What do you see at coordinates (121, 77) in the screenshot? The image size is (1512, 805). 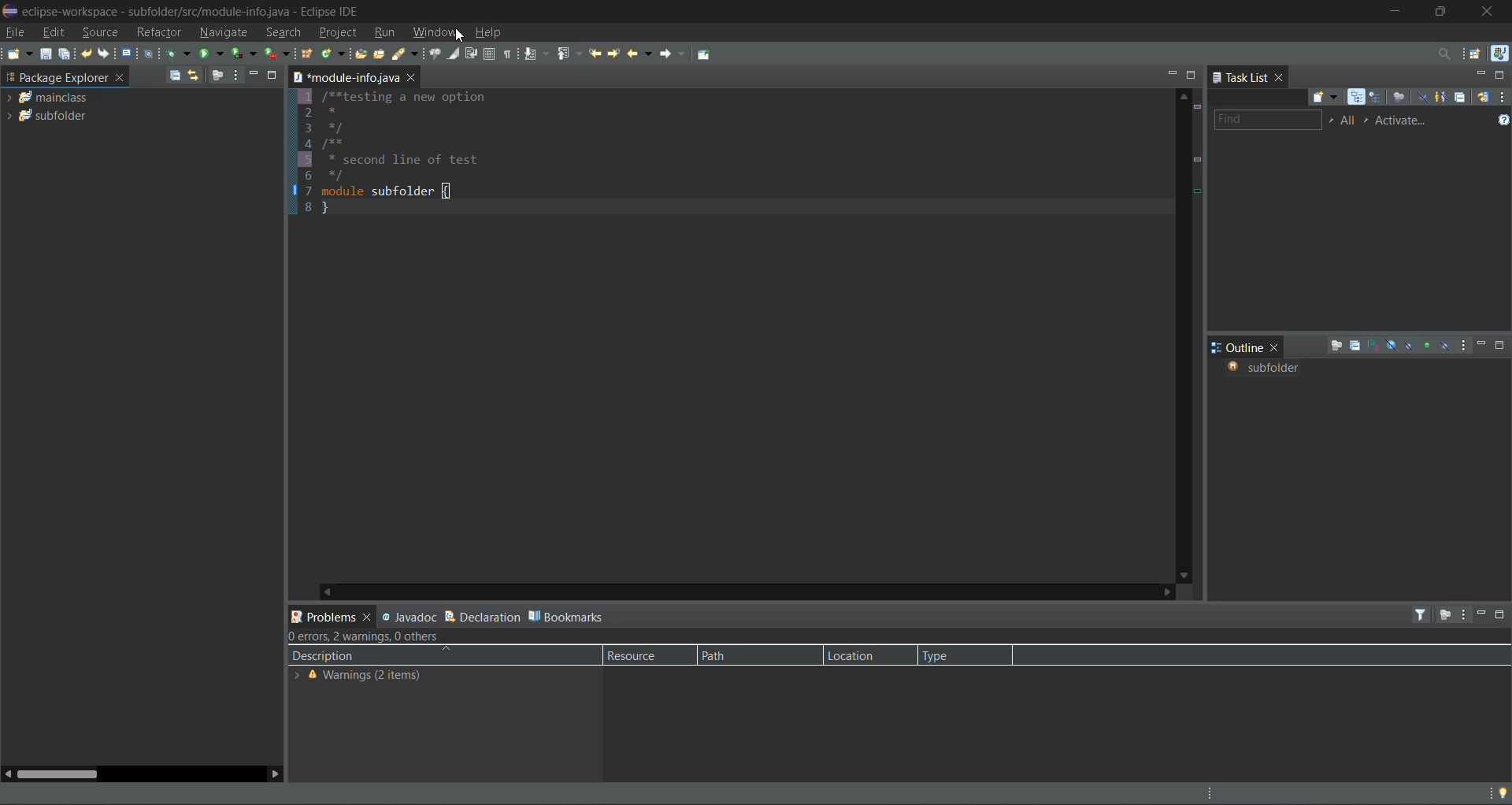 I see `close` at bounding box center [121, 77].